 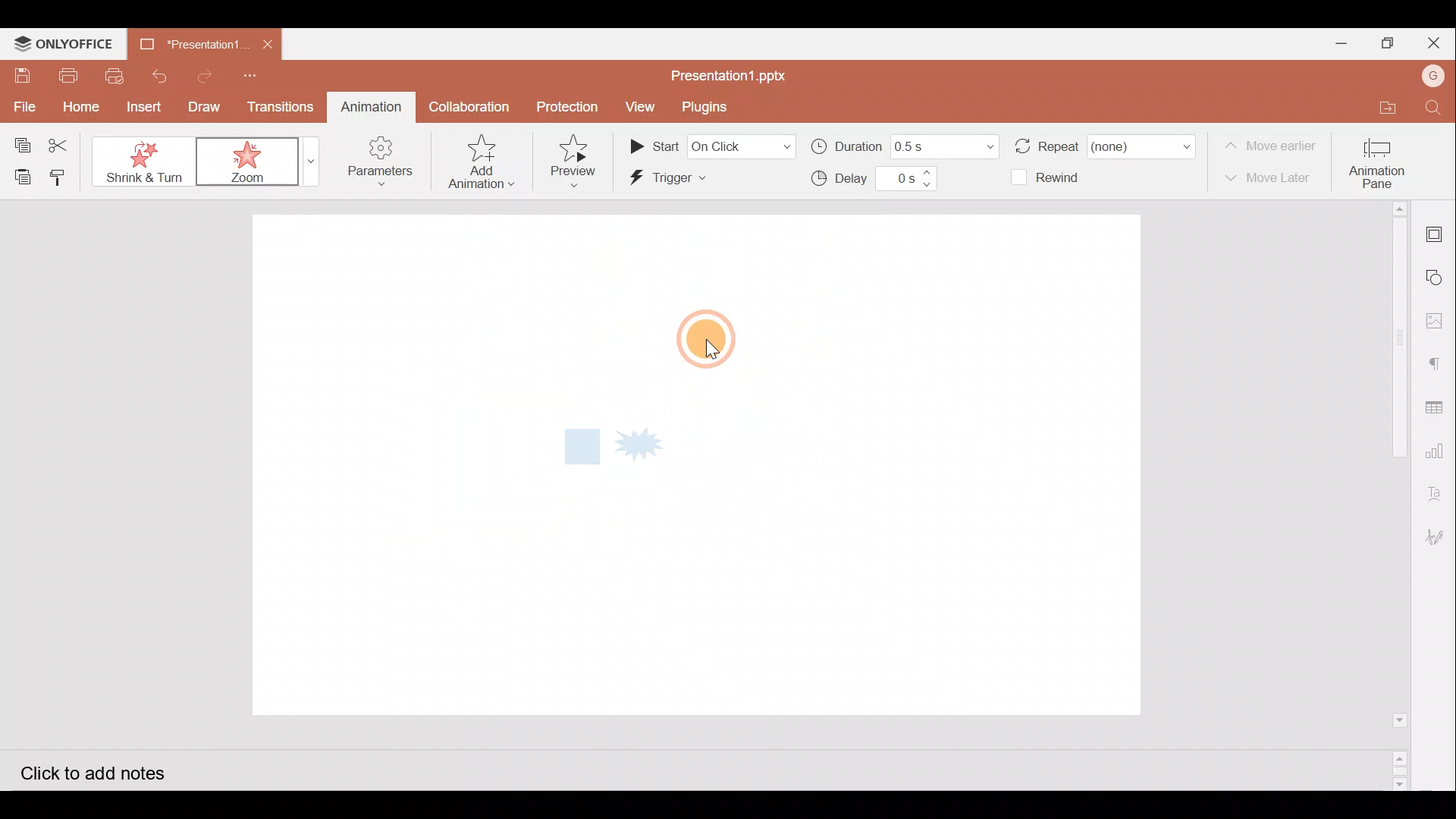 What do you see at coordinates (902, 145) in the screenshot?
I see `Duration` at bounding box center [902, 145].